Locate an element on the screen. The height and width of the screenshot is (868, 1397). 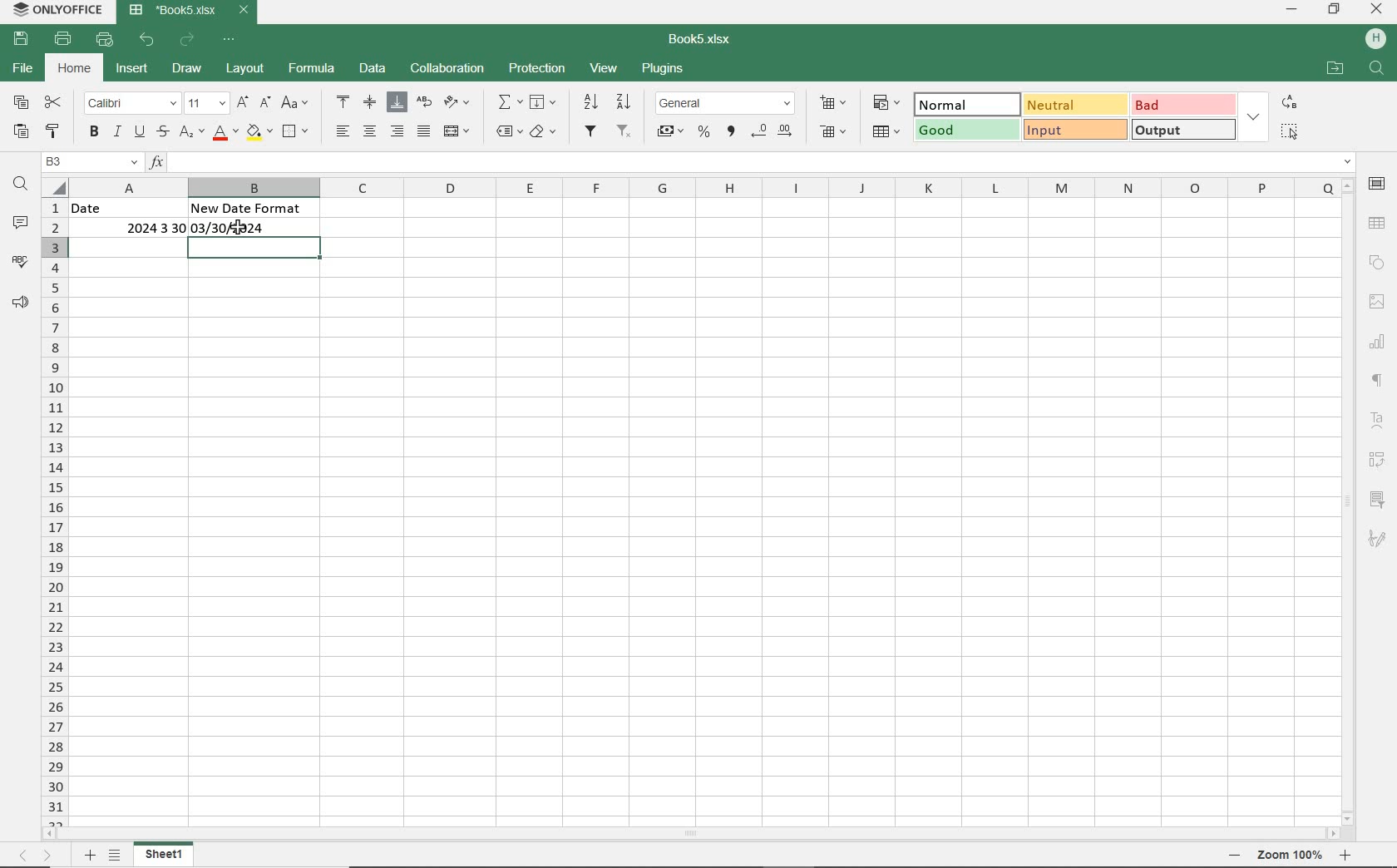
UNDERLINE is located at coordinates (140, 133).